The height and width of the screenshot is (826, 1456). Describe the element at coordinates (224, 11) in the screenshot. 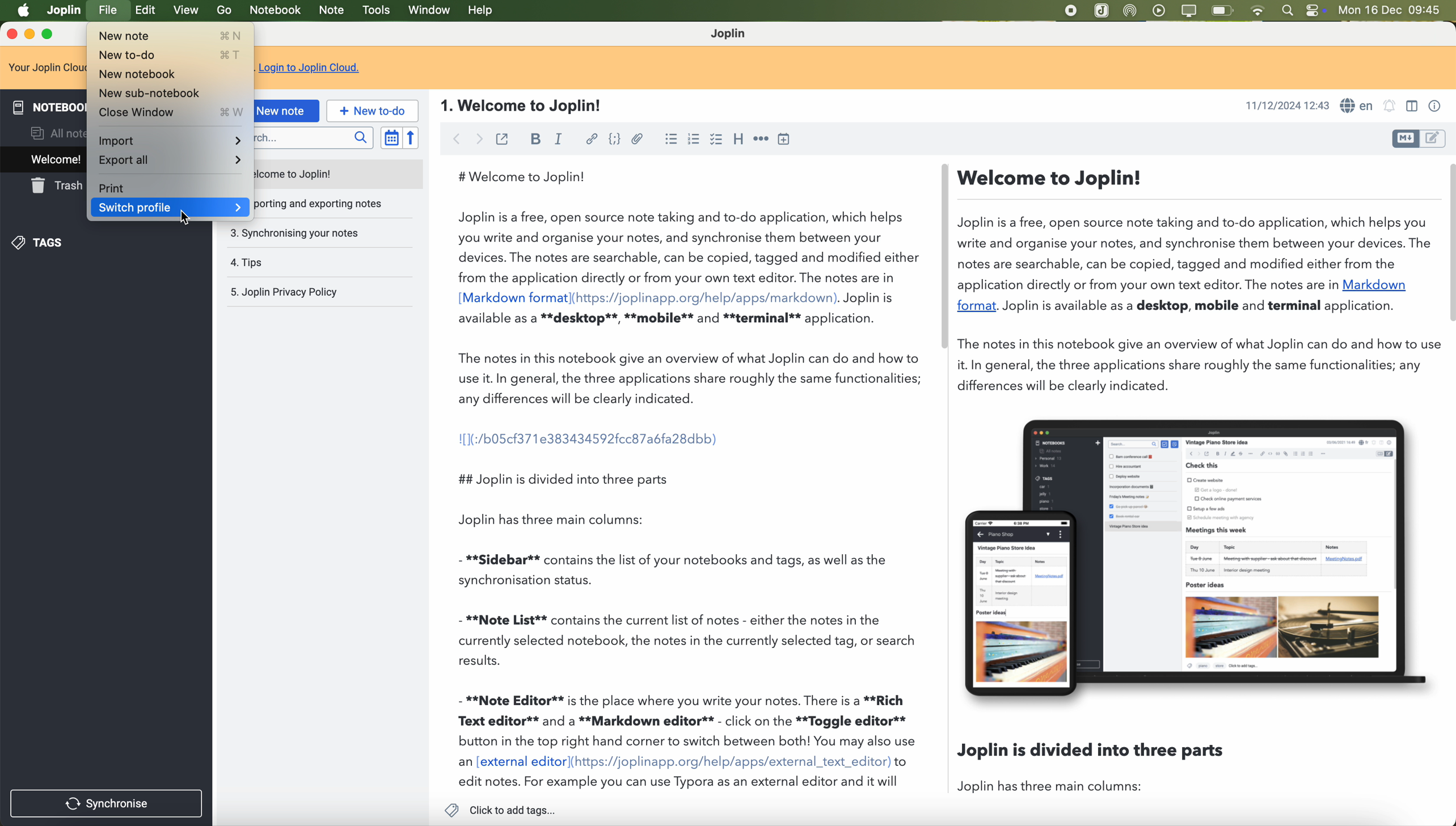

I see `go` at that location.